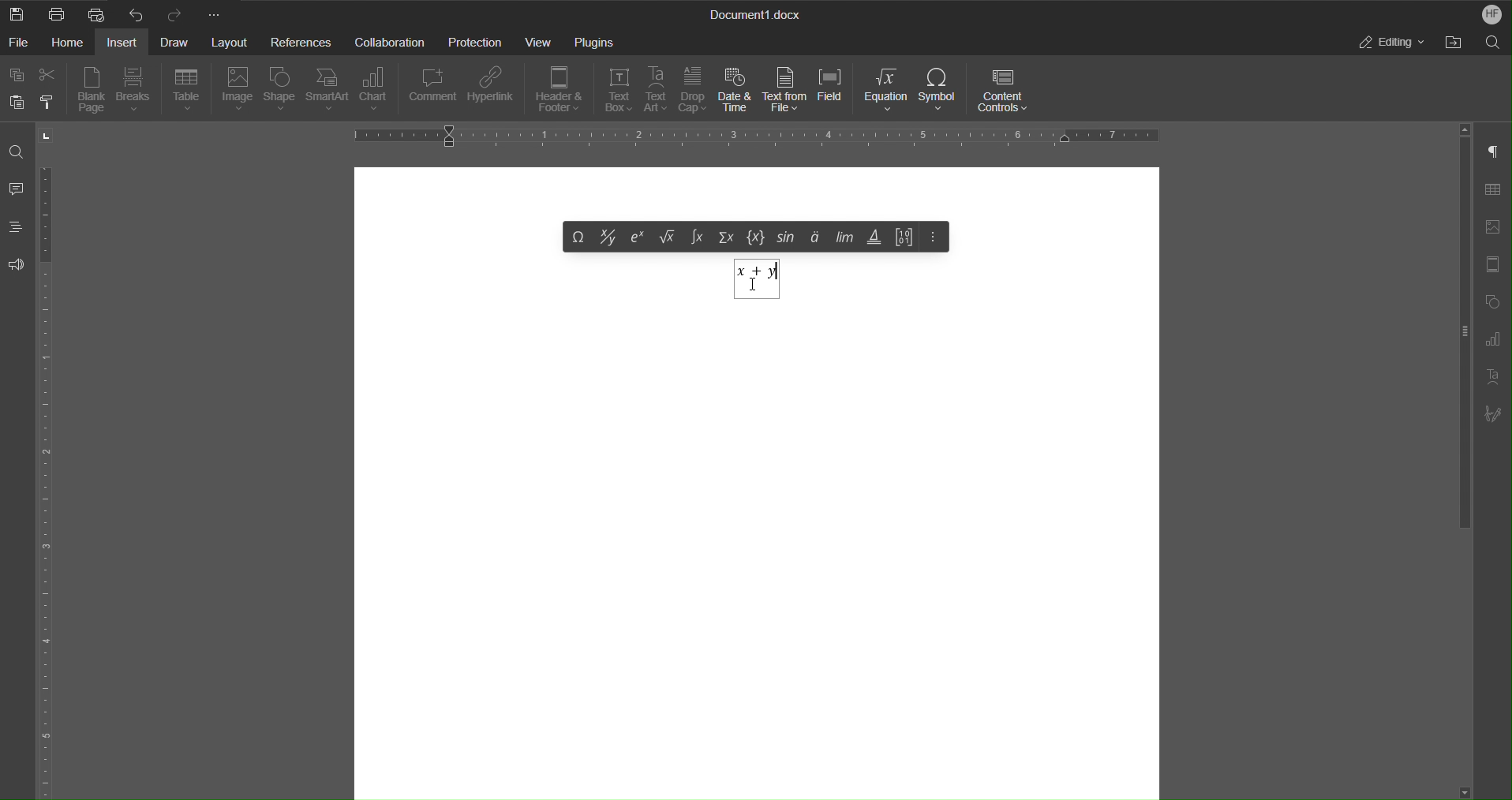  Describe the element at coordinates (765, 134) in the screenshot. I see `Horizontal Ruler` at that location.